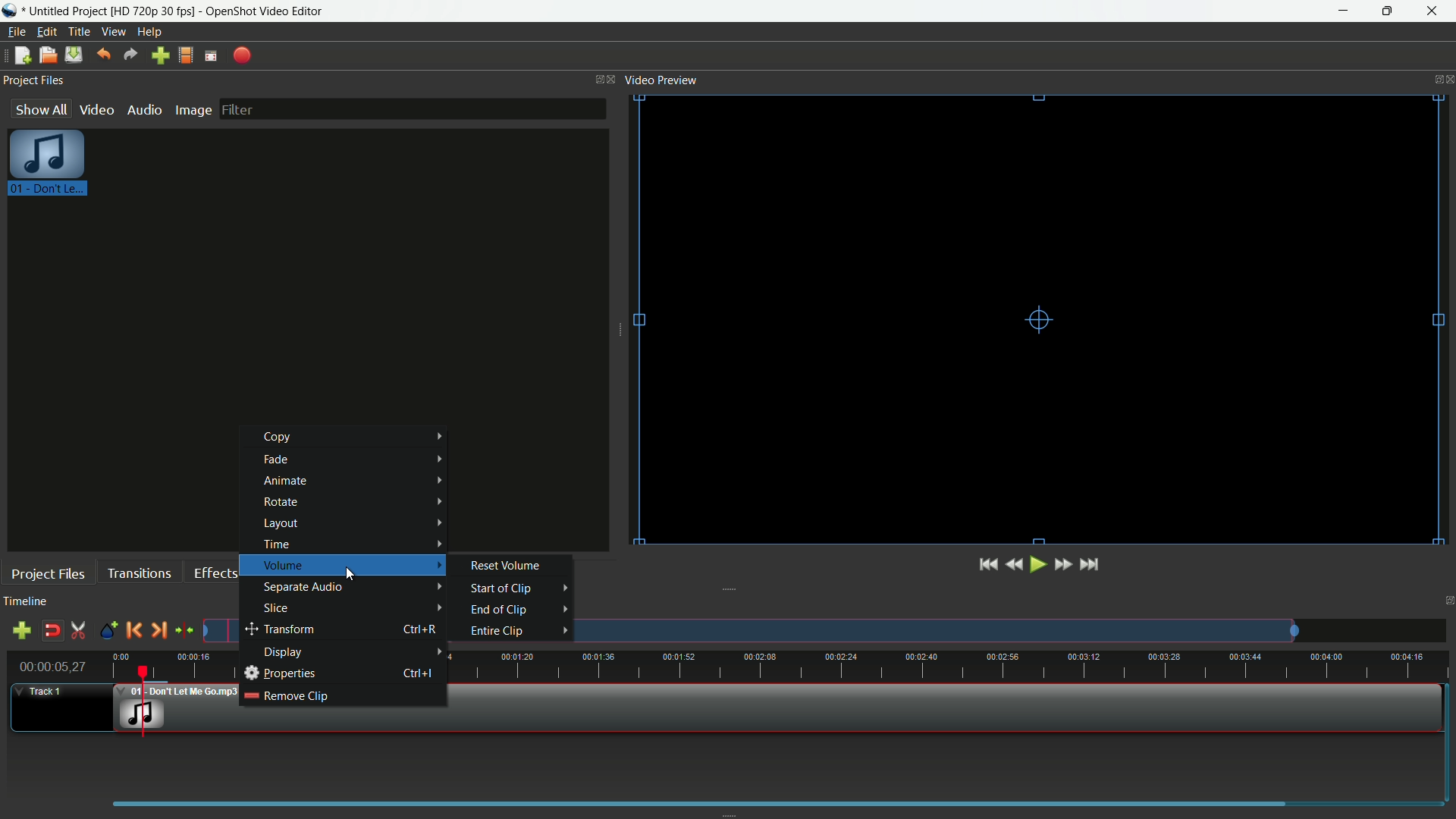  Describe the element at coordinates (359, 437) in the screenshot. I see `copy` at that location.